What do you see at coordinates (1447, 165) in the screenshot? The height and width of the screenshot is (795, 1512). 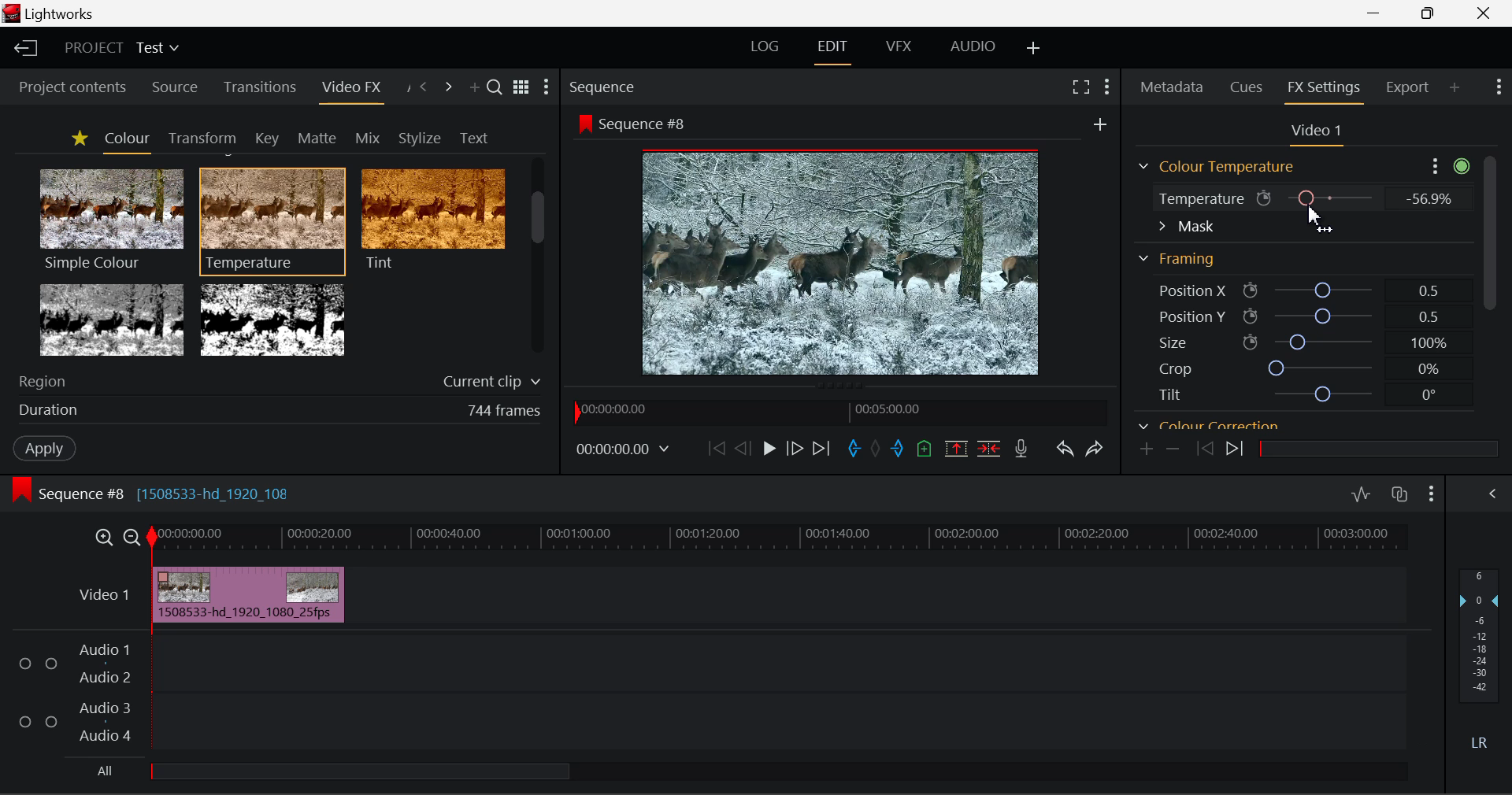 I see `Show Settings` at bounding box center [1447, 165].